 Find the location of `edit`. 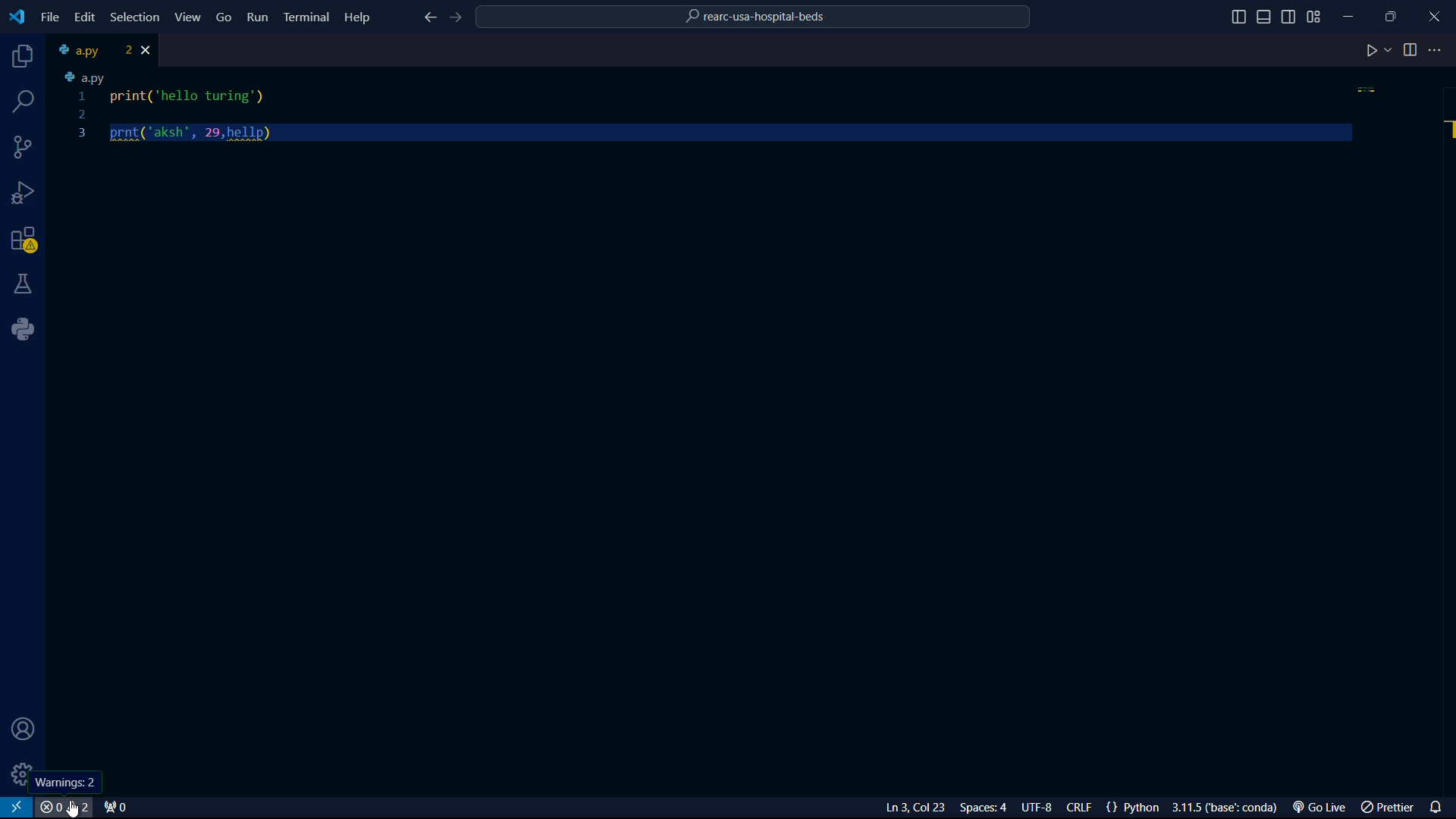

edit is located at coordinates (83, 17).